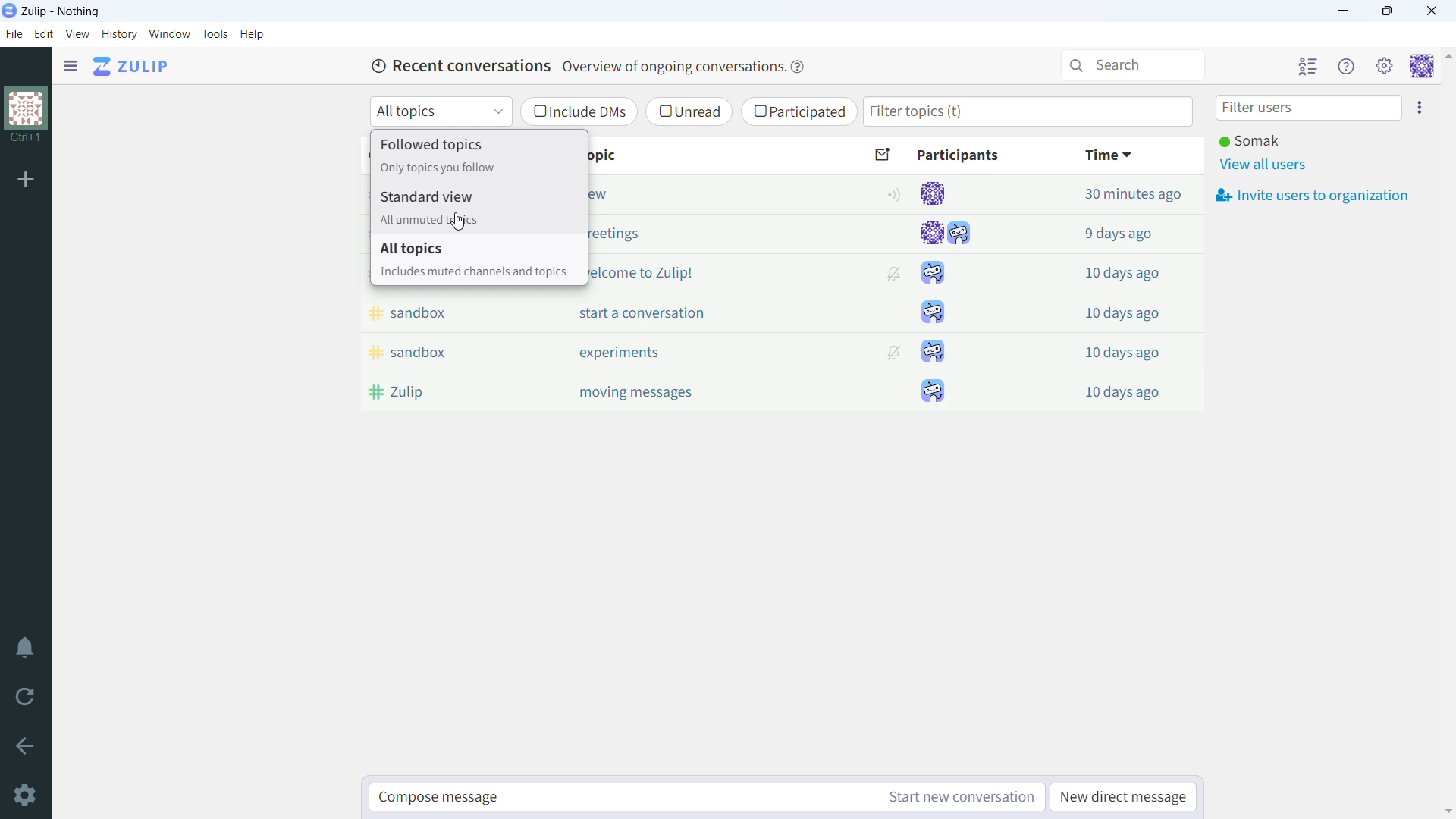 The height and width of the screenshot is (819, 1456). What do you see at coordinates (678, 313) in the screenshot?
I see `start a conversation` at bounding box center [678, 313].